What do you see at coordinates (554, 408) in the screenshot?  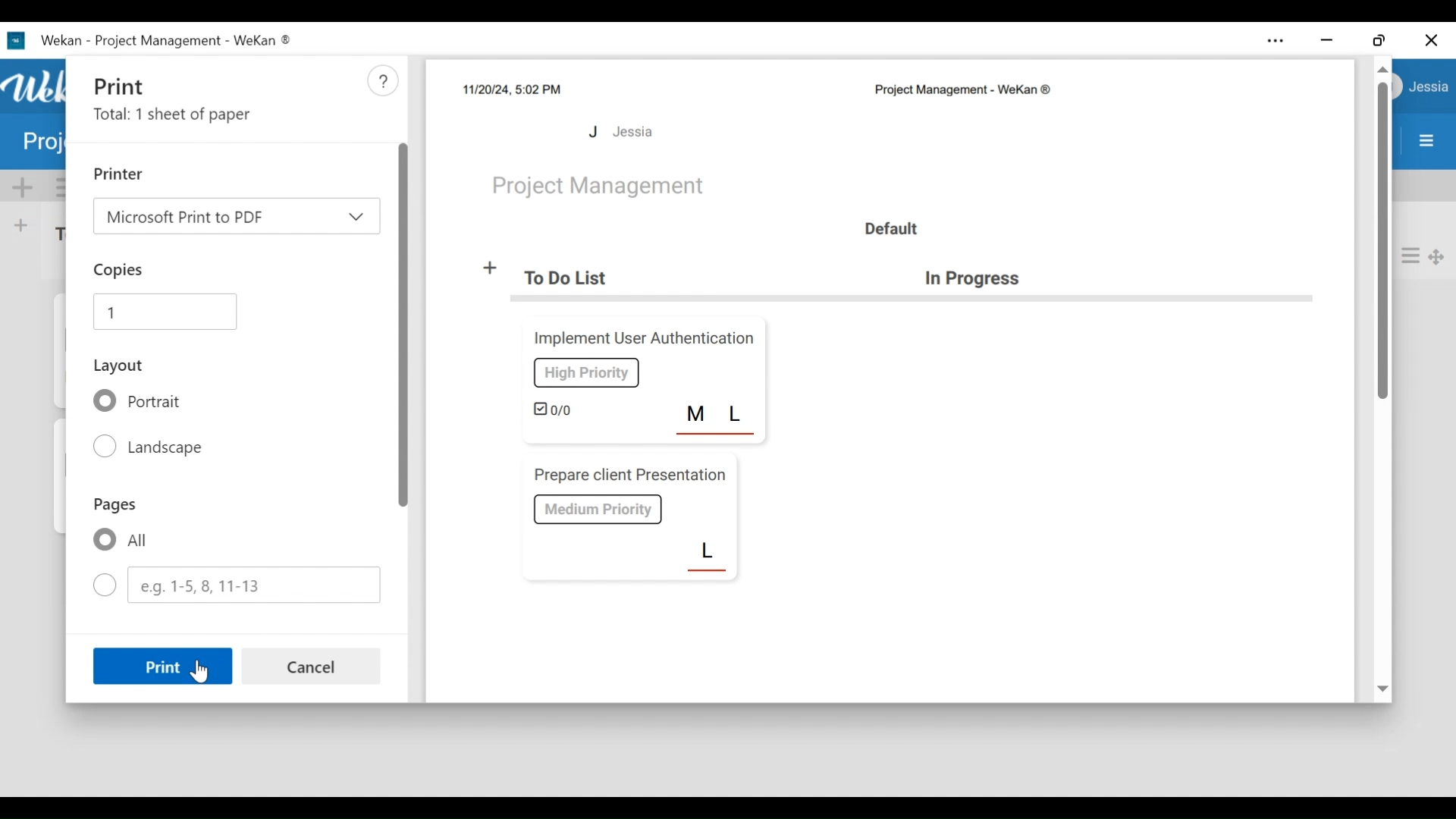 I see `checklist` at bounding box center [554, 408].